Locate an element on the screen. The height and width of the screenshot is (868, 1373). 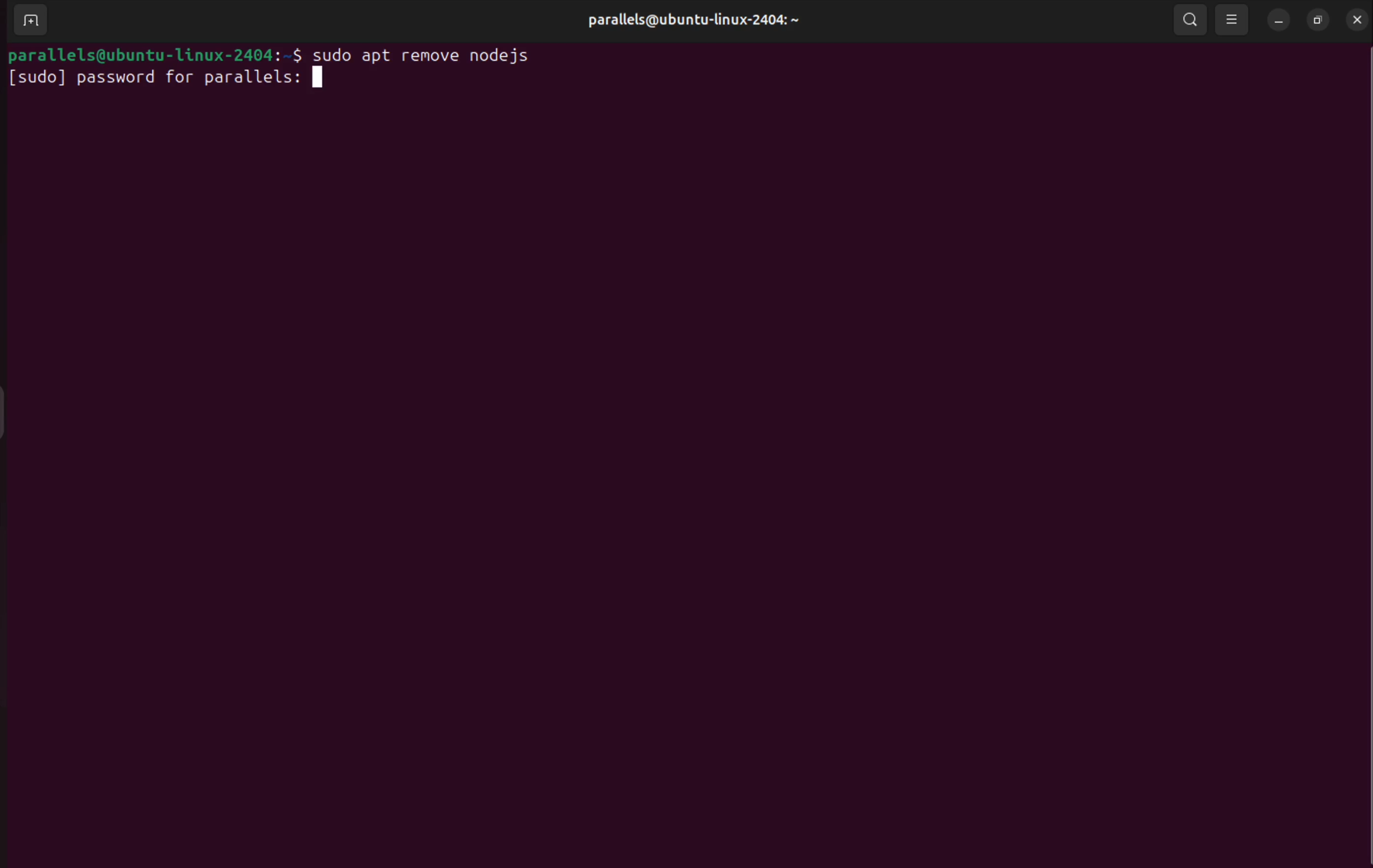
minimize is located at coordinates (1277, 21).